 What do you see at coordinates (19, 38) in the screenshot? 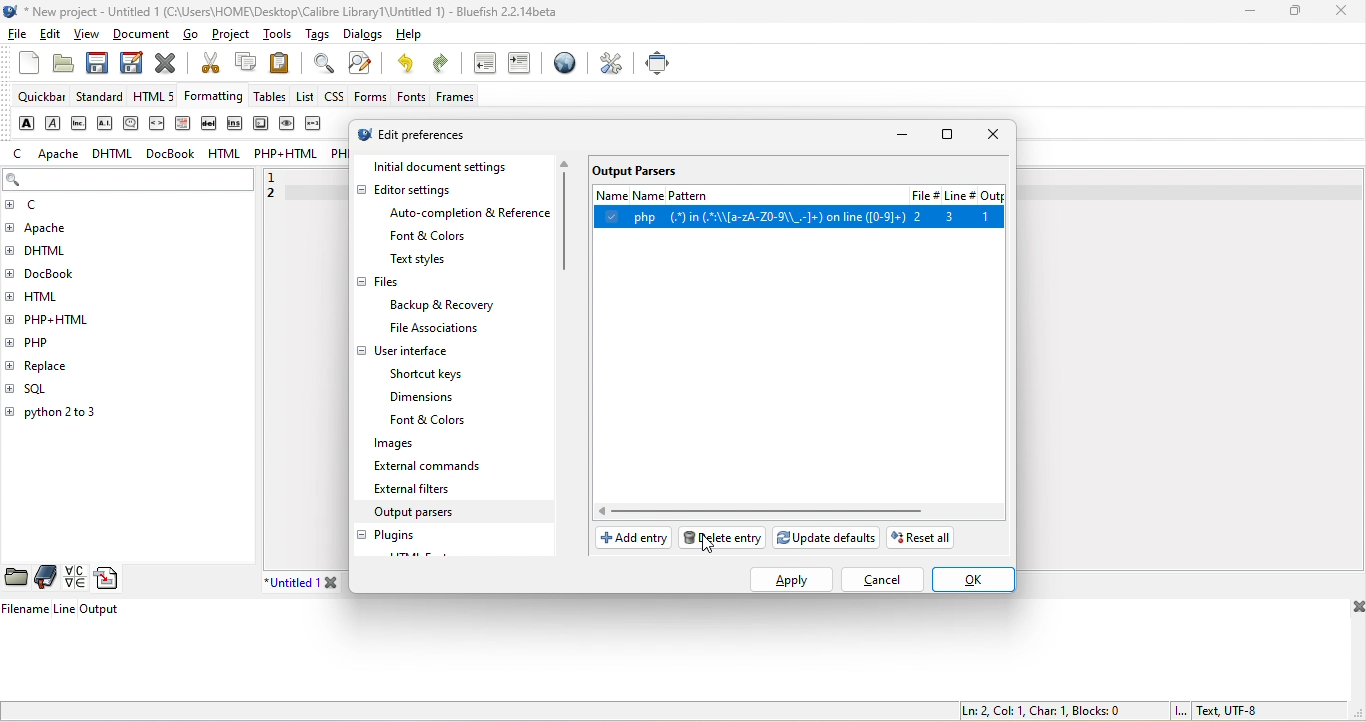
I see `file` at bounding box center [19, 38].